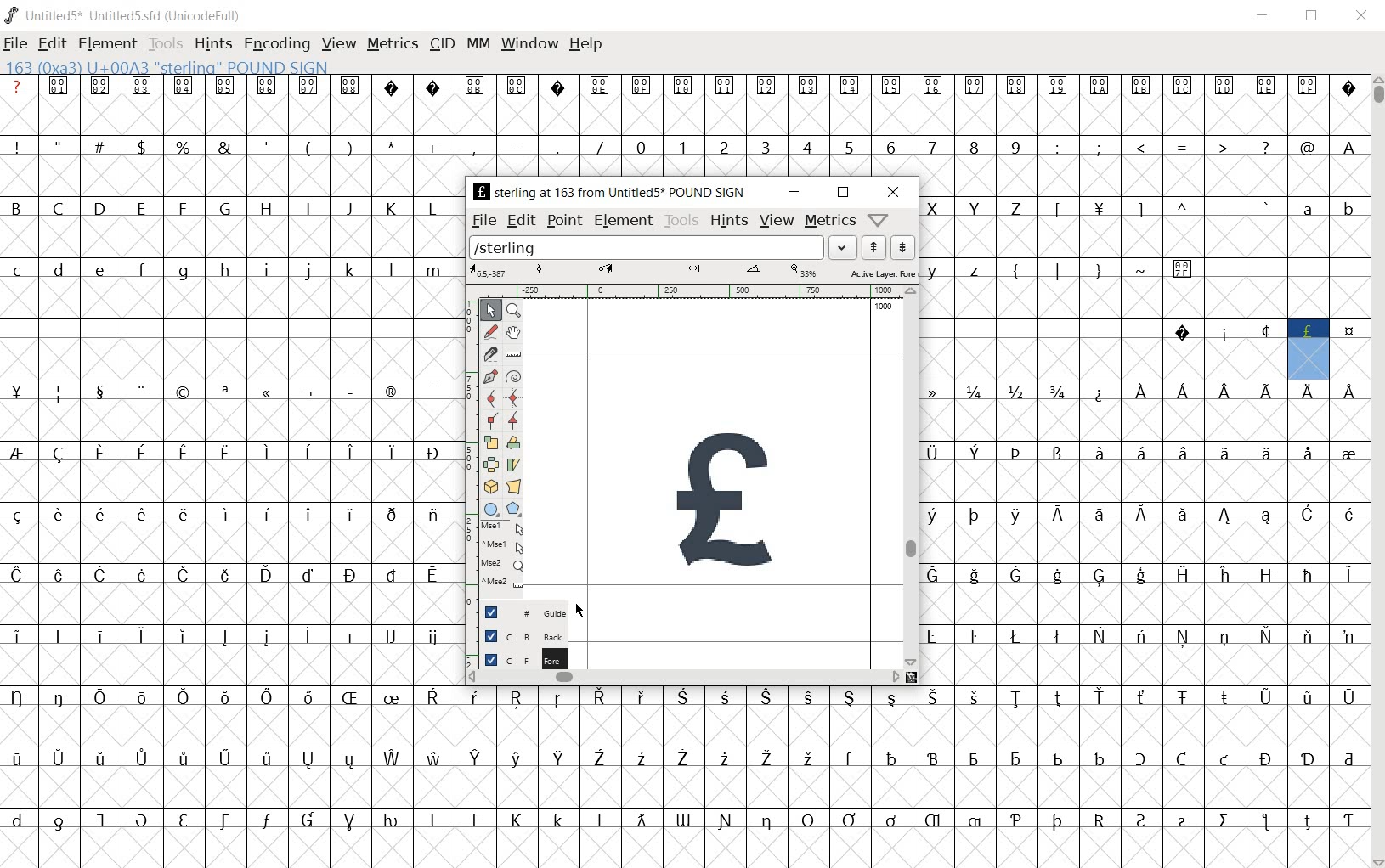 The image size is (1385, 868). I want to click on Symbol, so click(1016, 454).